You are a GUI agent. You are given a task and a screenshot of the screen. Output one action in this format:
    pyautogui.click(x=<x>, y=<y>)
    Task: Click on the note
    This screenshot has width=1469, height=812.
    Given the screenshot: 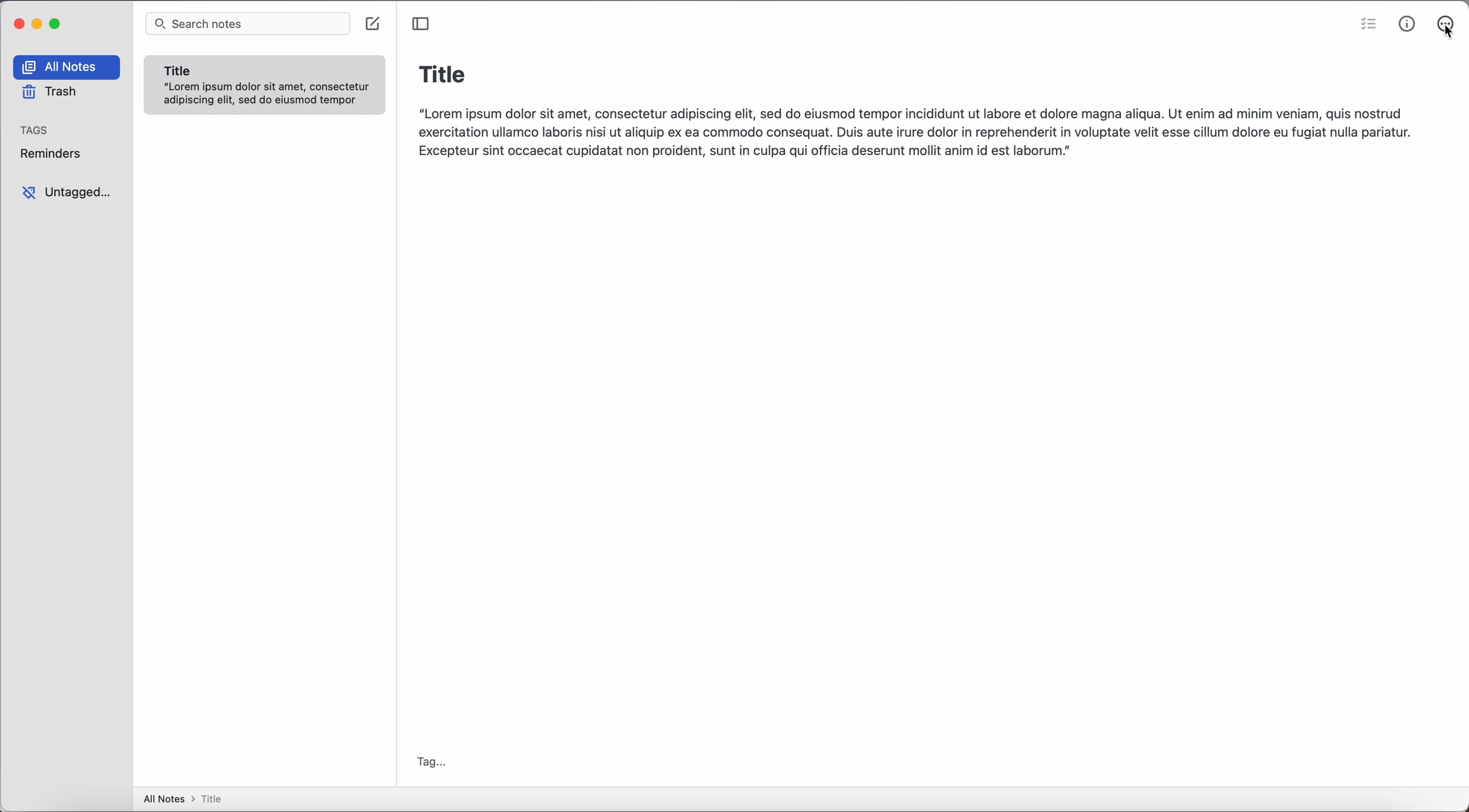 What is the action you would take?
    pyautogui.click(x=265, y=86)
    